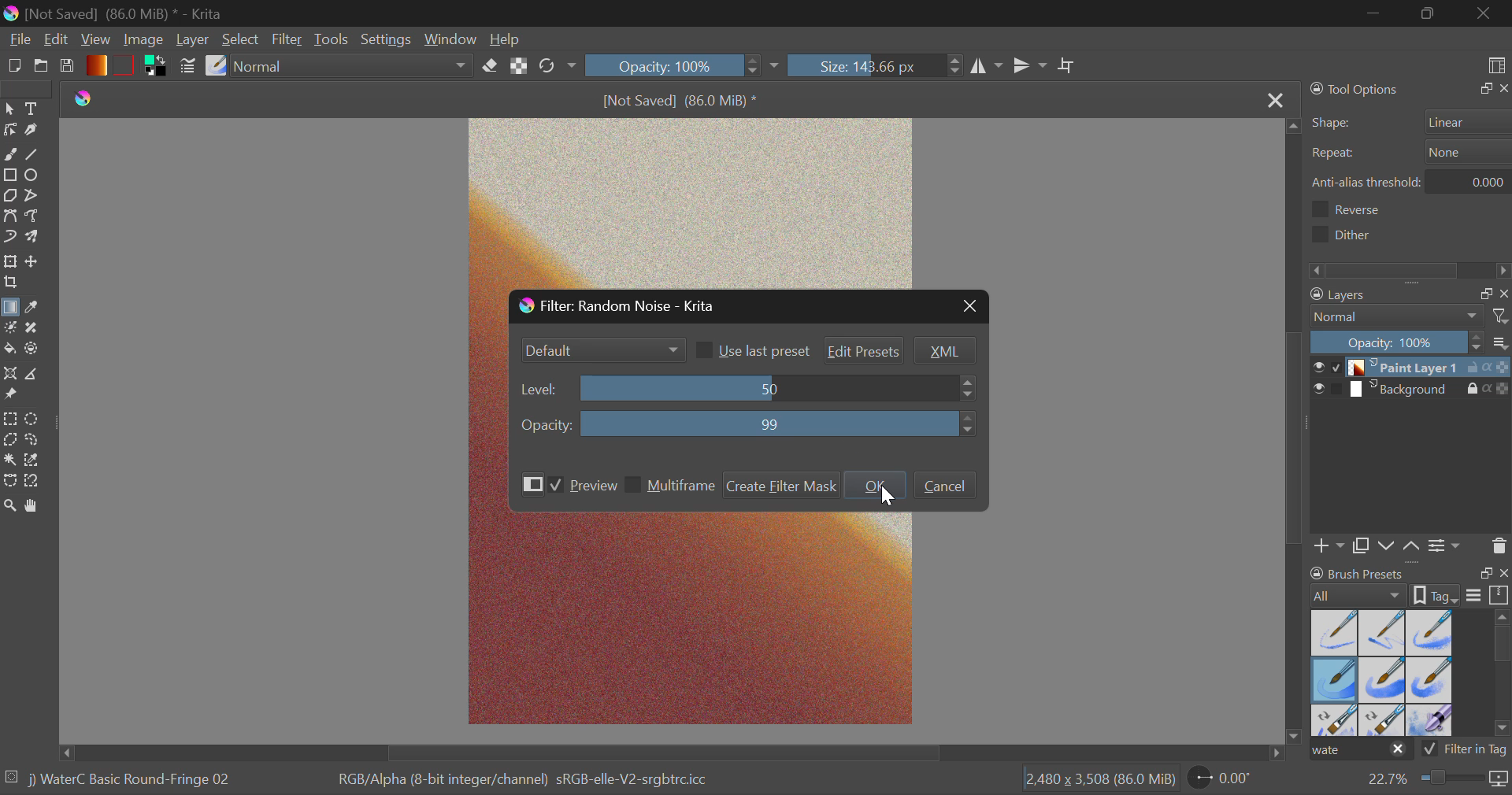 Image resolution: width=1512 pixels, height=795 pixels. Describe the element at coordinates (1412, 547) in the screenshot. I see `move up` at that location.